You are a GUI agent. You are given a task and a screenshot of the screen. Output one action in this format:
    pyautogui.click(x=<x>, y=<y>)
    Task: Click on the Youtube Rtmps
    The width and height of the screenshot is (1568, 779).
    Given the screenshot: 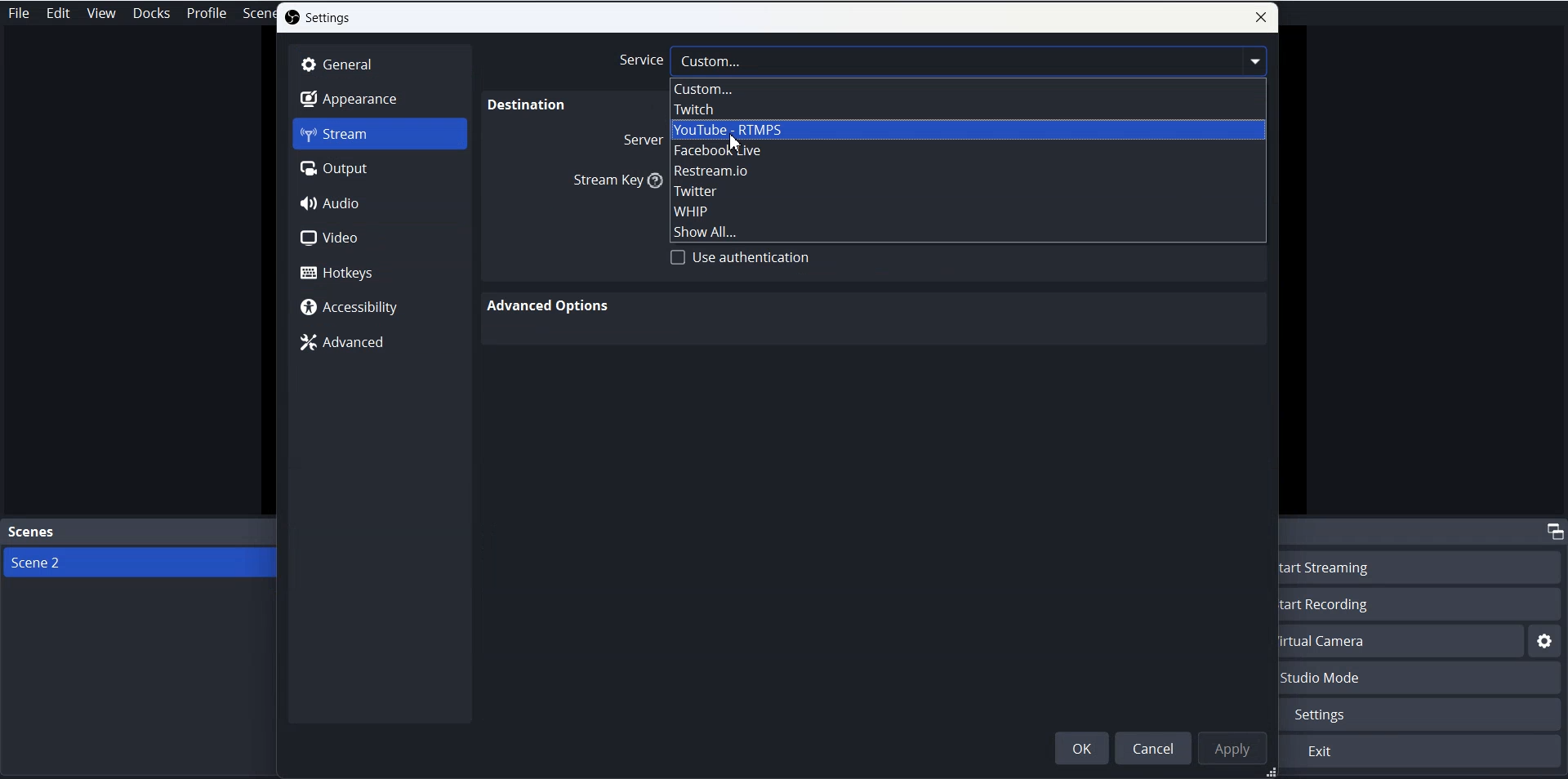 What is the action you would take?
    pyautogui.click(x=965, y=130)
    